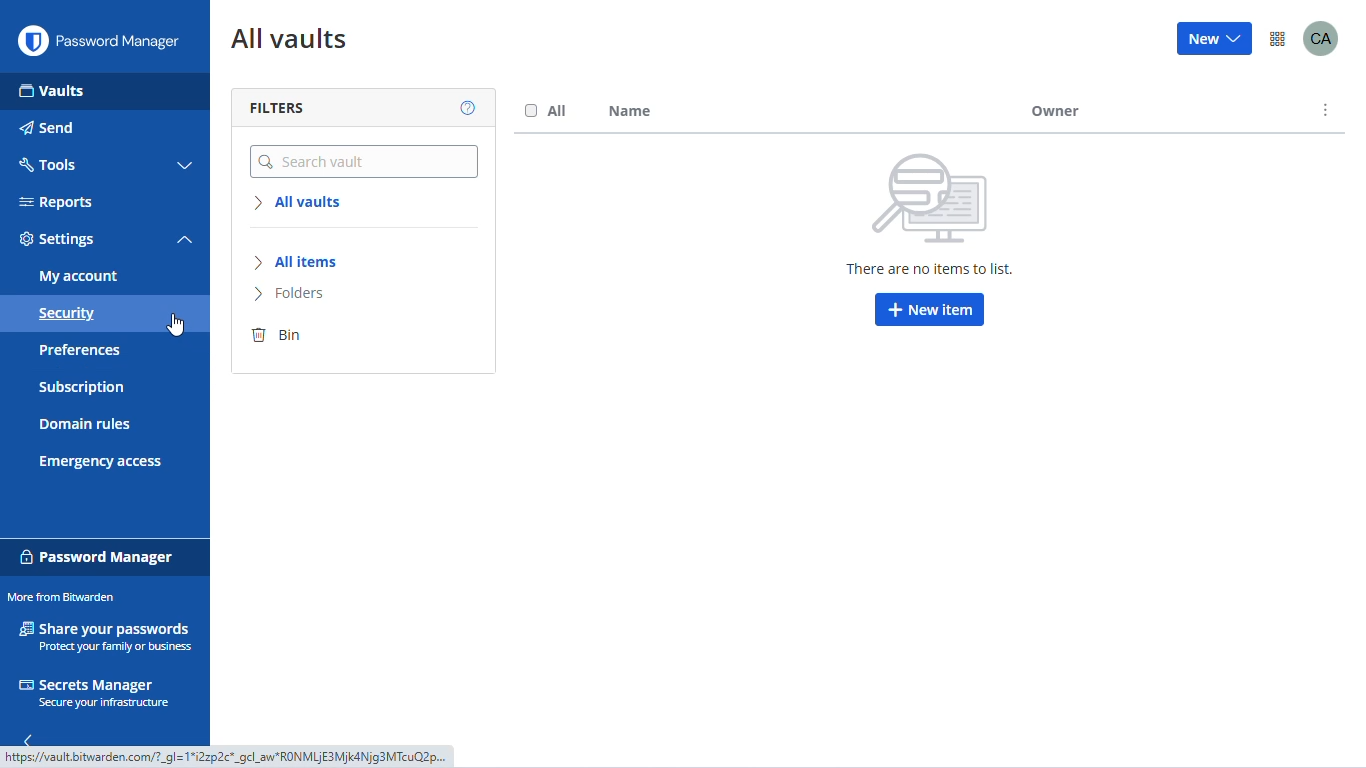  I want to click on security, so click(67, 315).